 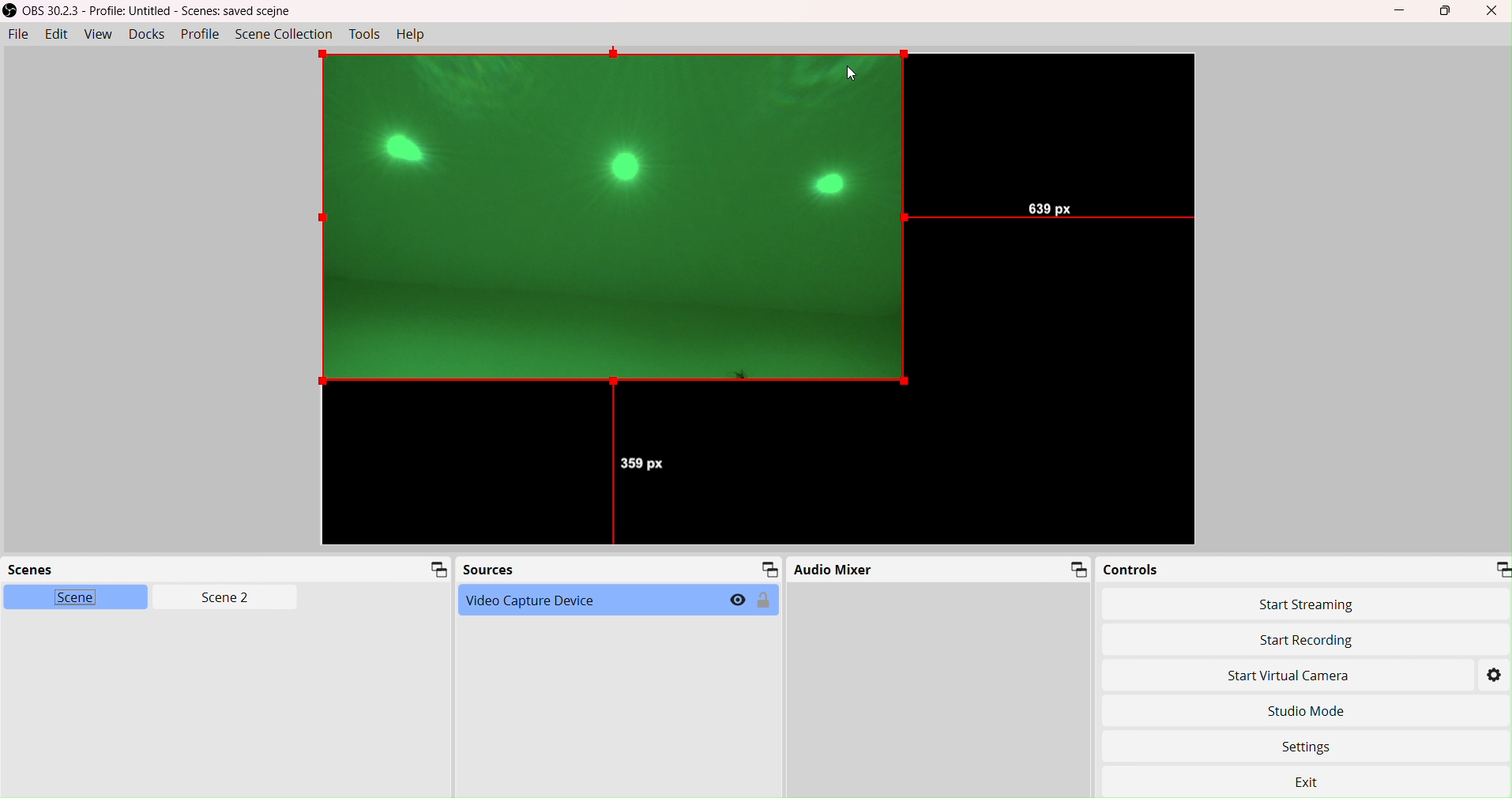 What do you see at coordinates (1299, 675) in the screenshot?
I see `Start Virtual Camera` at bounding box center [1299, 675].